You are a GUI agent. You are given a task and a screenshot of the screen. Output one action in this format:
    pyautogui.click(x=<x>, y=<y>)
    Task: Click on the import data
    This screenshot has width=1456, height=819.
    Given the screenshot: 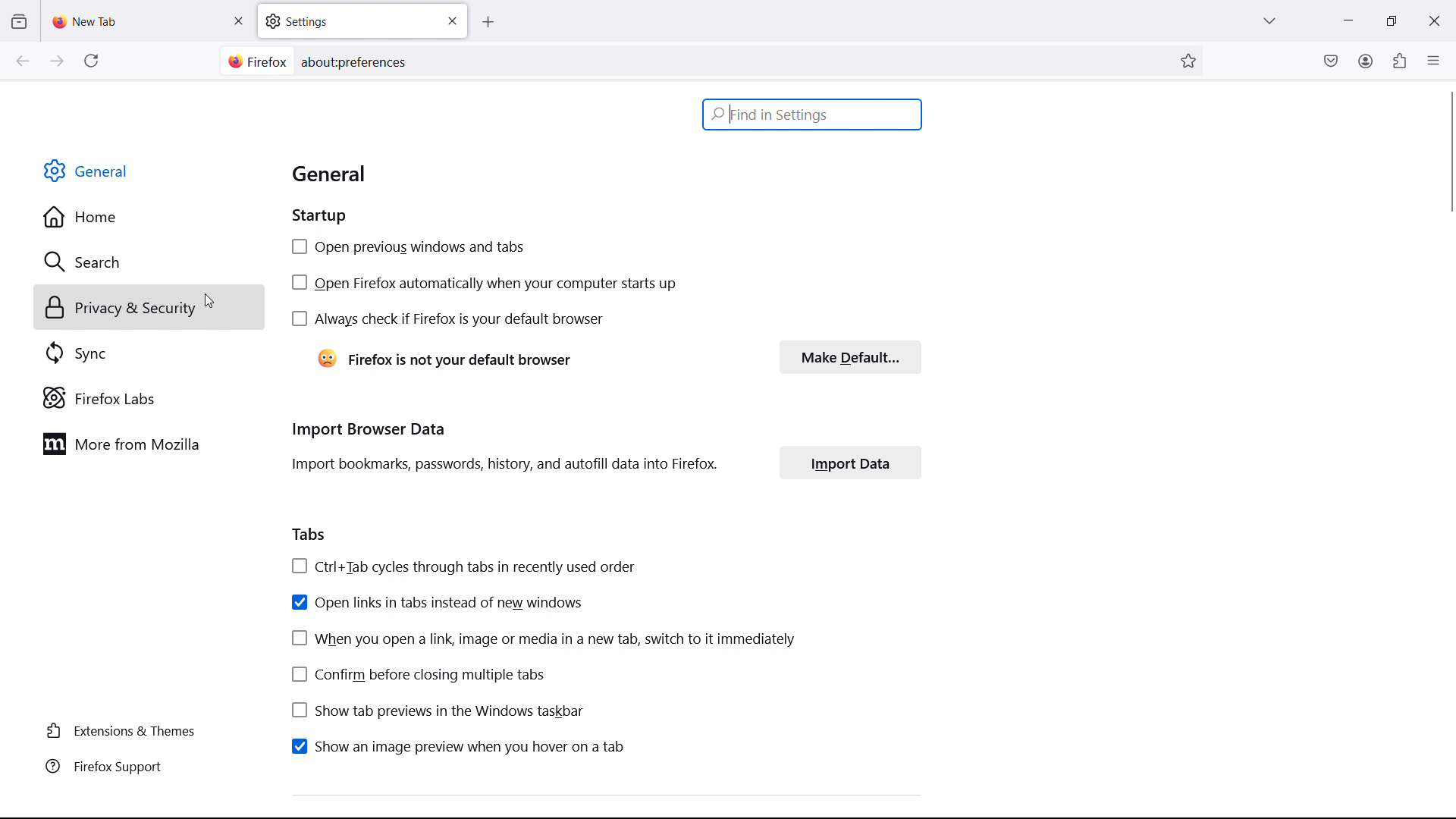 What is the action you would take?
    pyautogui.click(x=849, y=463)
    